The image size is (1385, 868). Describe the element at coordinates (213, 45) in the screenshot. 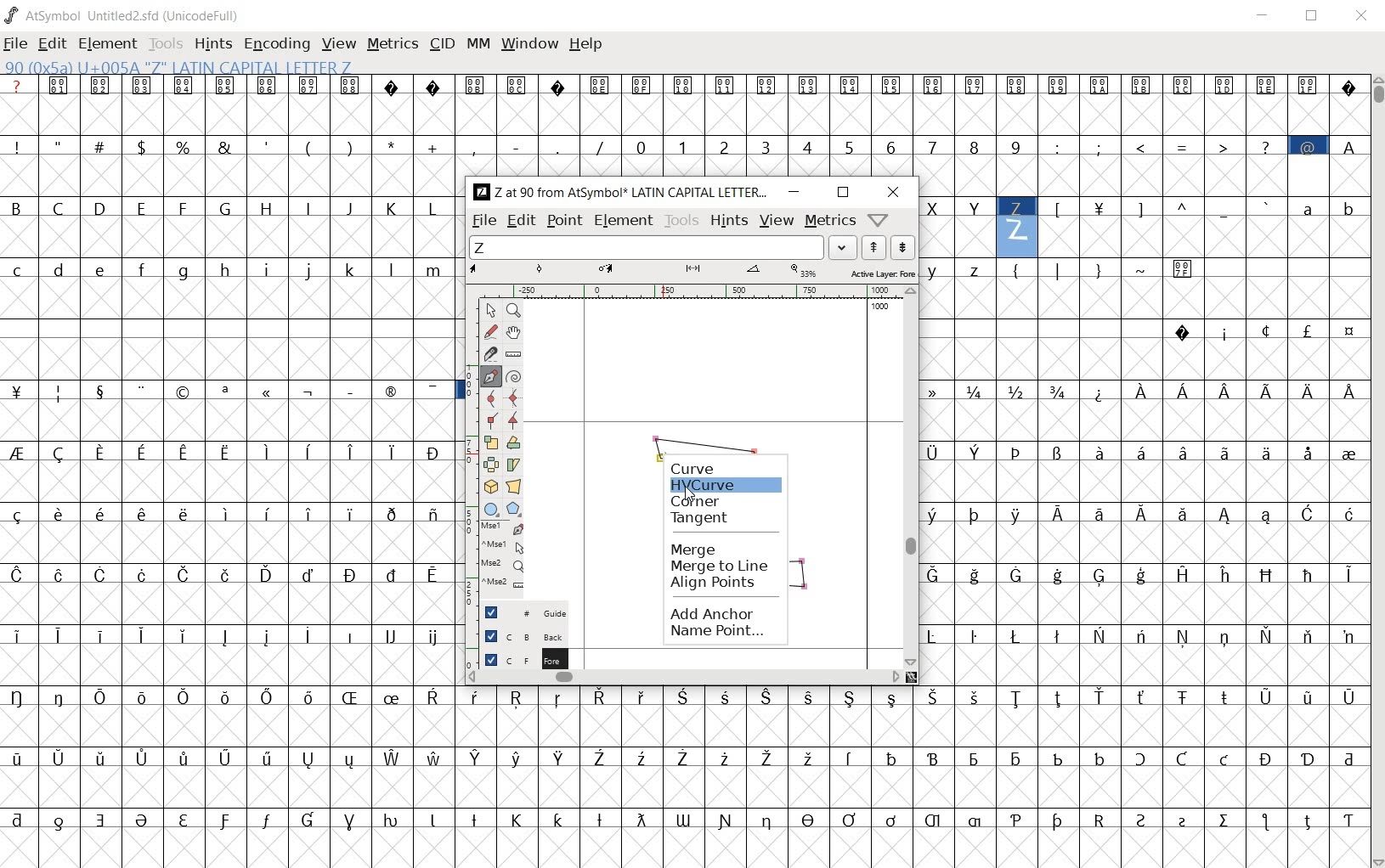

I see `hints` at that location.